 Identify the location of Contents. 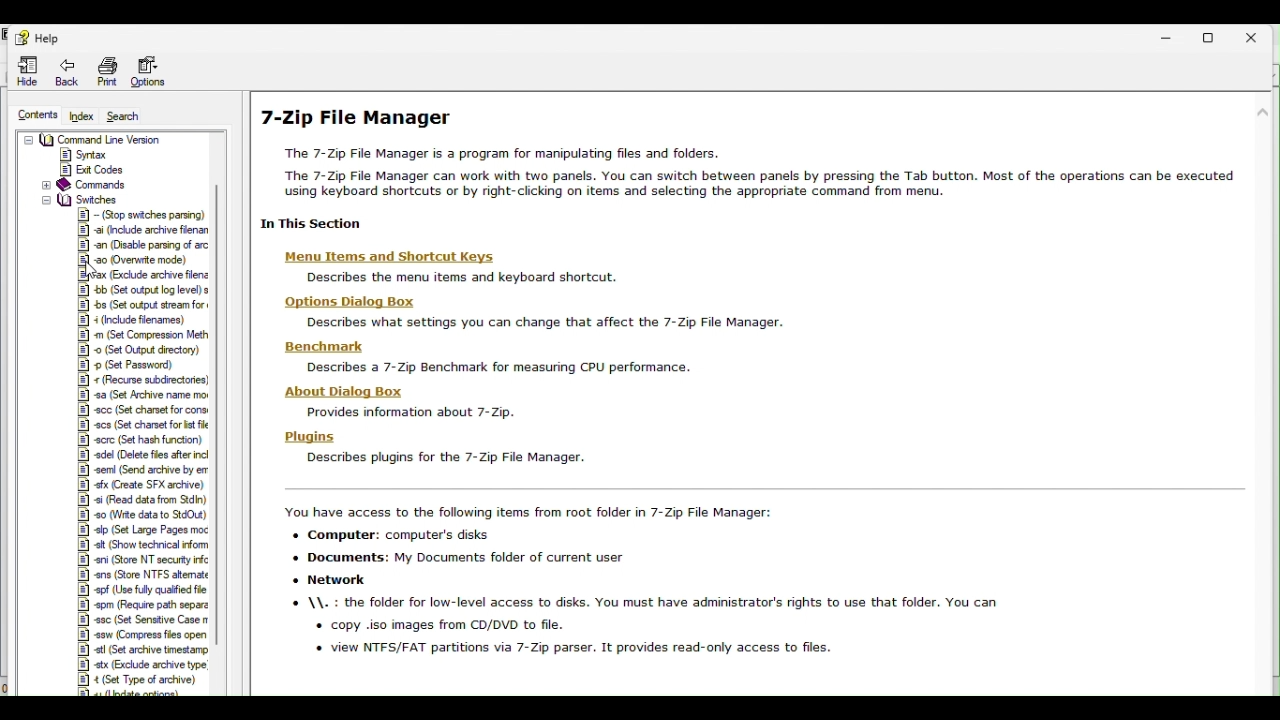
(36, 116).